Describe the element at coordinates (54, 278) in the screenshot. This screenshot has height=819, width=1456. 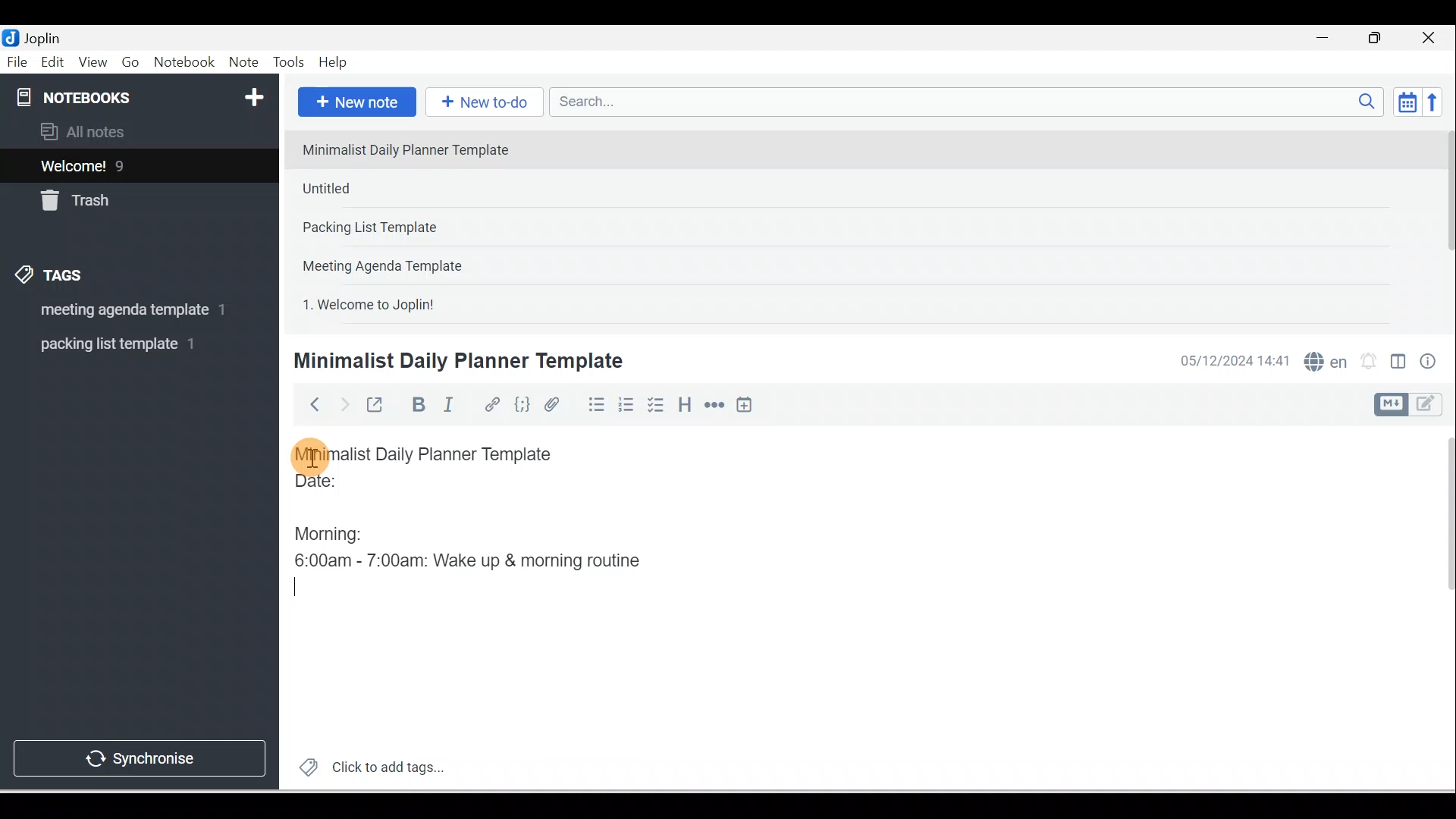
I see `Tags` at that location.